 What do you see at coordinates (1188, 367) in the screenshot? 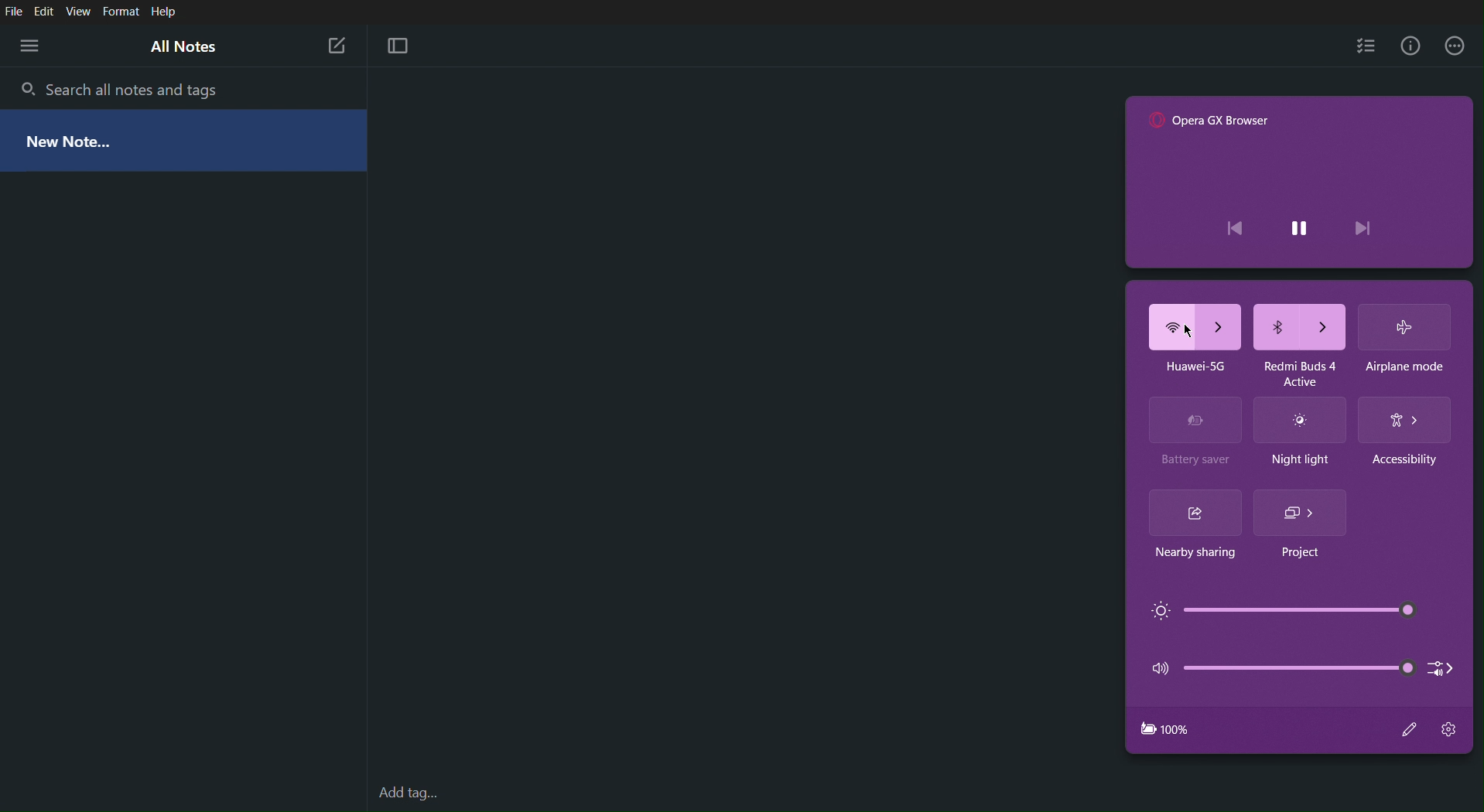
I see `Huawei-5G` at bounding box center [1188, 367].